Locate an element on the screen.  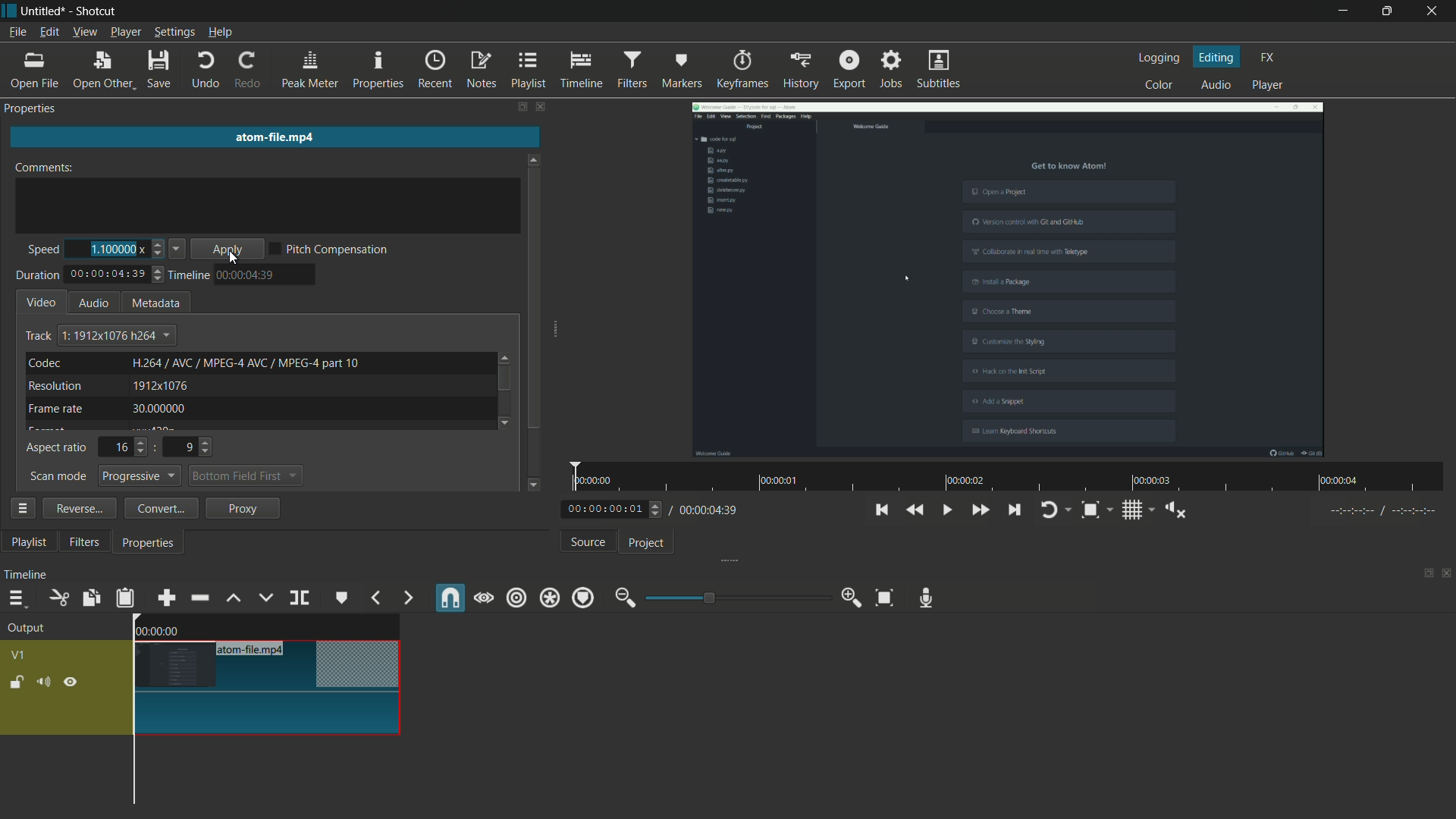
source is located at coordinates (589, 541).